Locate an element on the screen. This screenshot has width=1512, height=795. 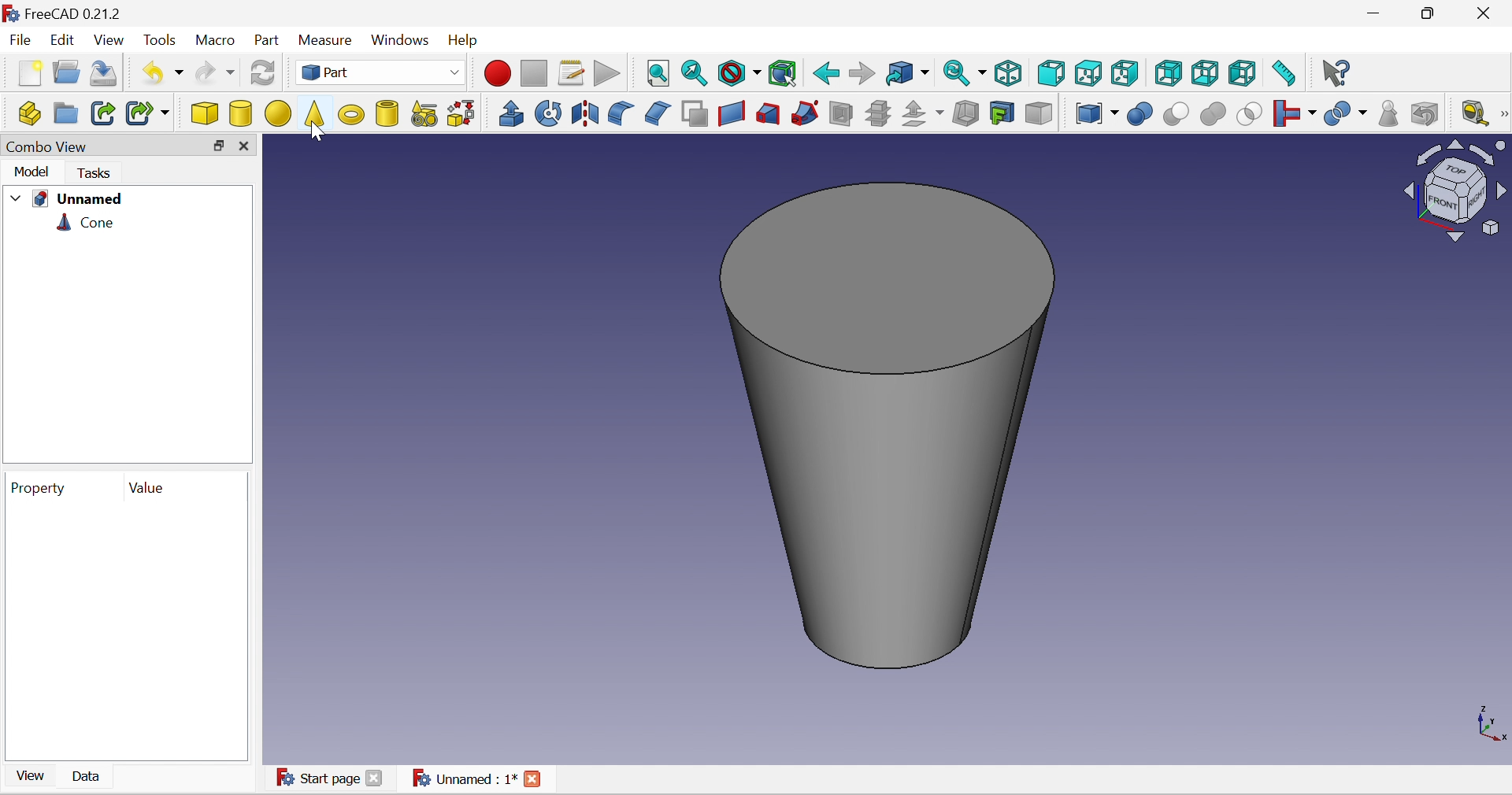
Windows is located at coordinates (400, 39).